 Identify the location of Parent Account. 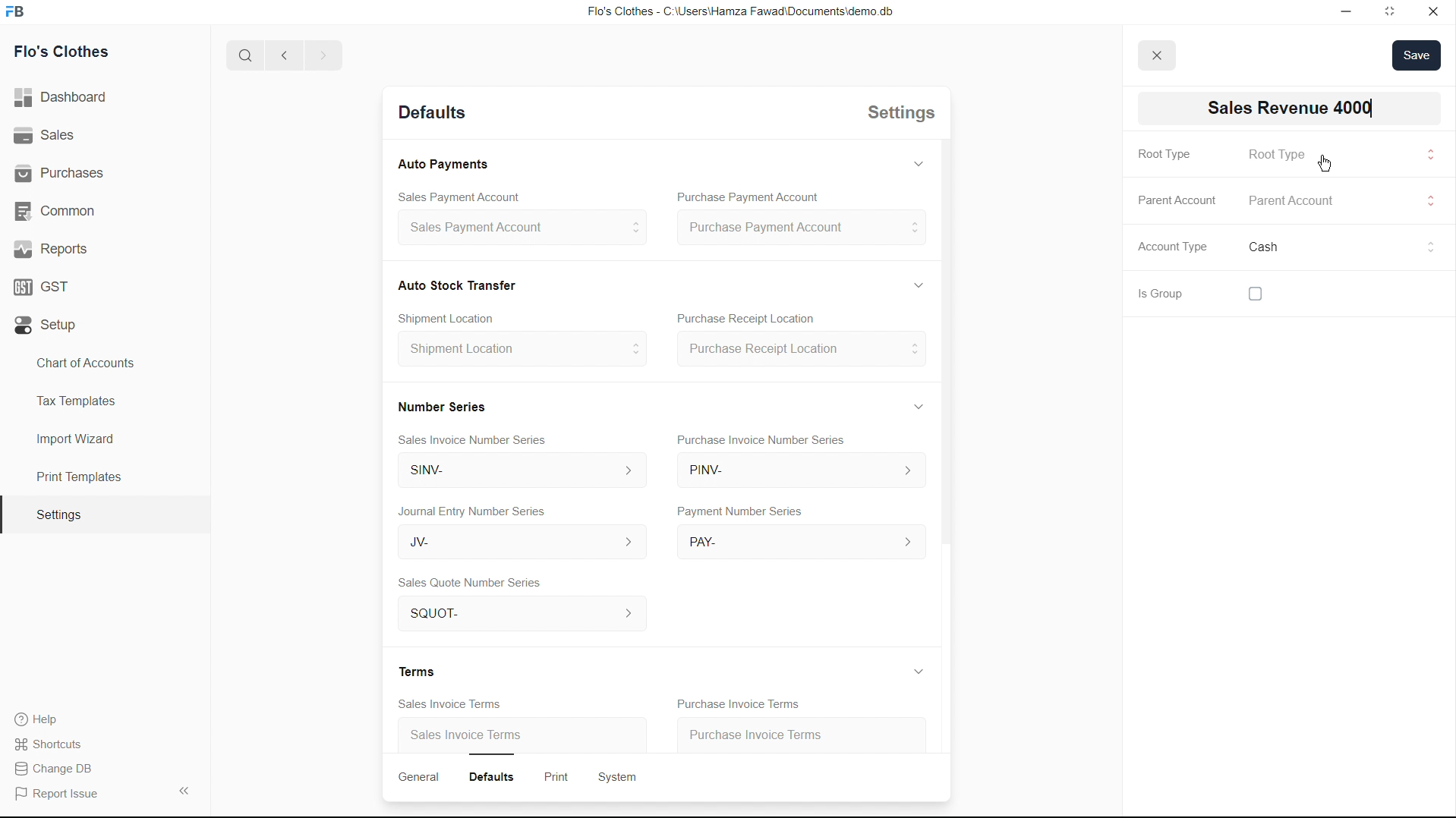
(1175, 199).